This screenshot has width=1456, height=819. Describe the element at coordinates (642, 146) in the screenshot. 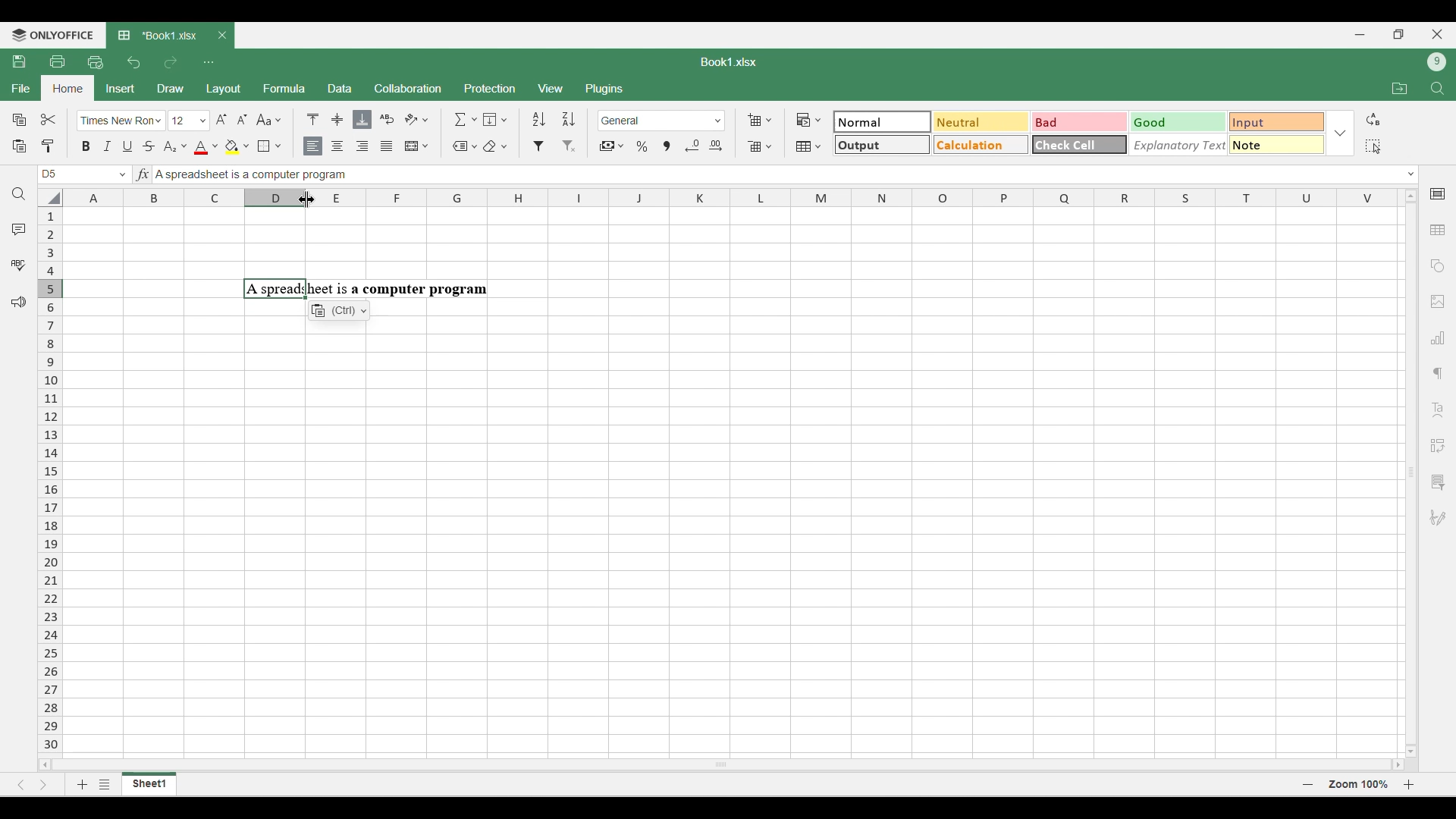

I see `Percent style` at that location.